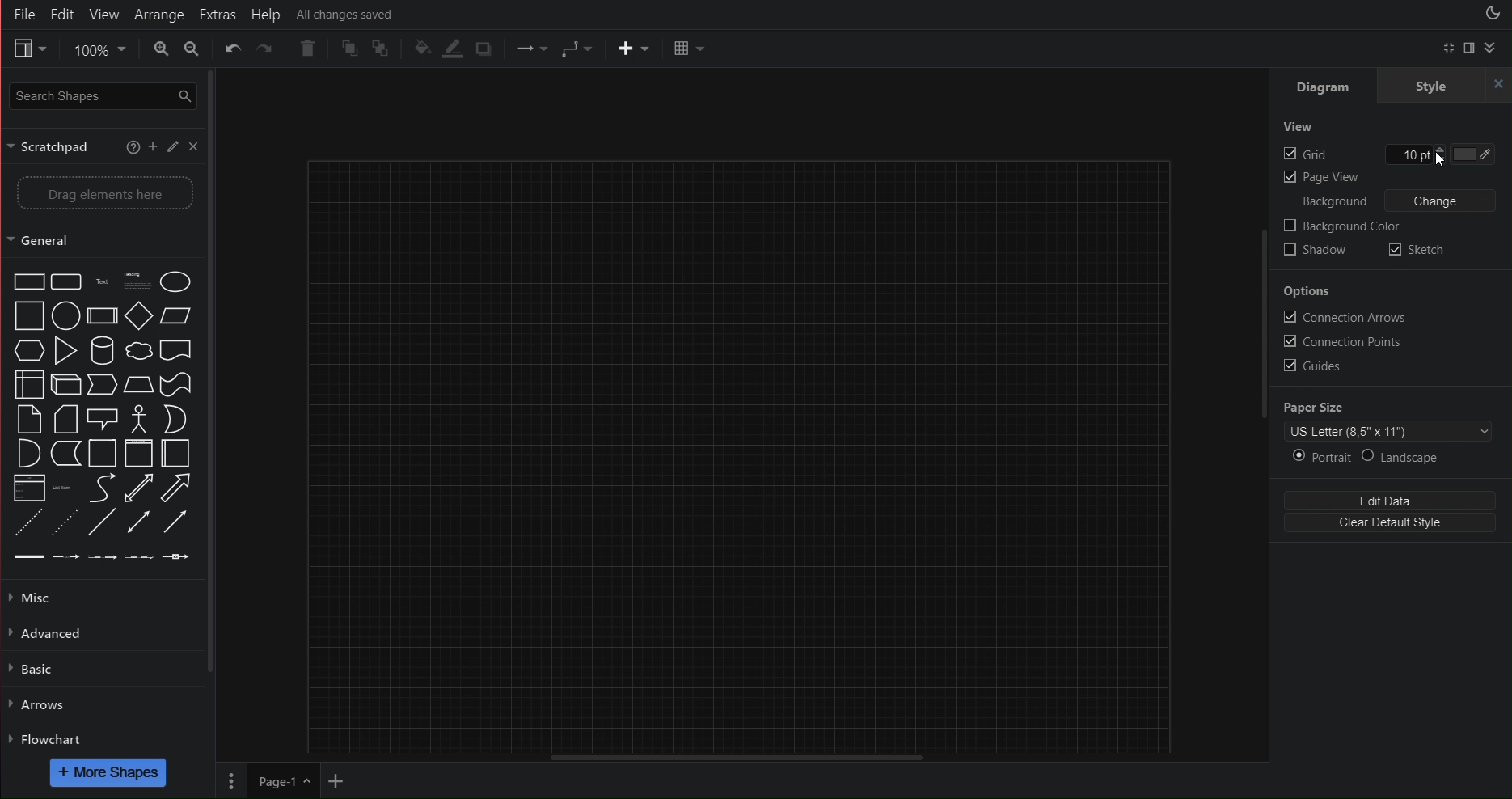 Image resolution: width=1512 pixels, height=799 pixels. What do you see at coordinates (65, 519) in the screenshot?
I see `dense dotted` at bounding box center [65, 519].